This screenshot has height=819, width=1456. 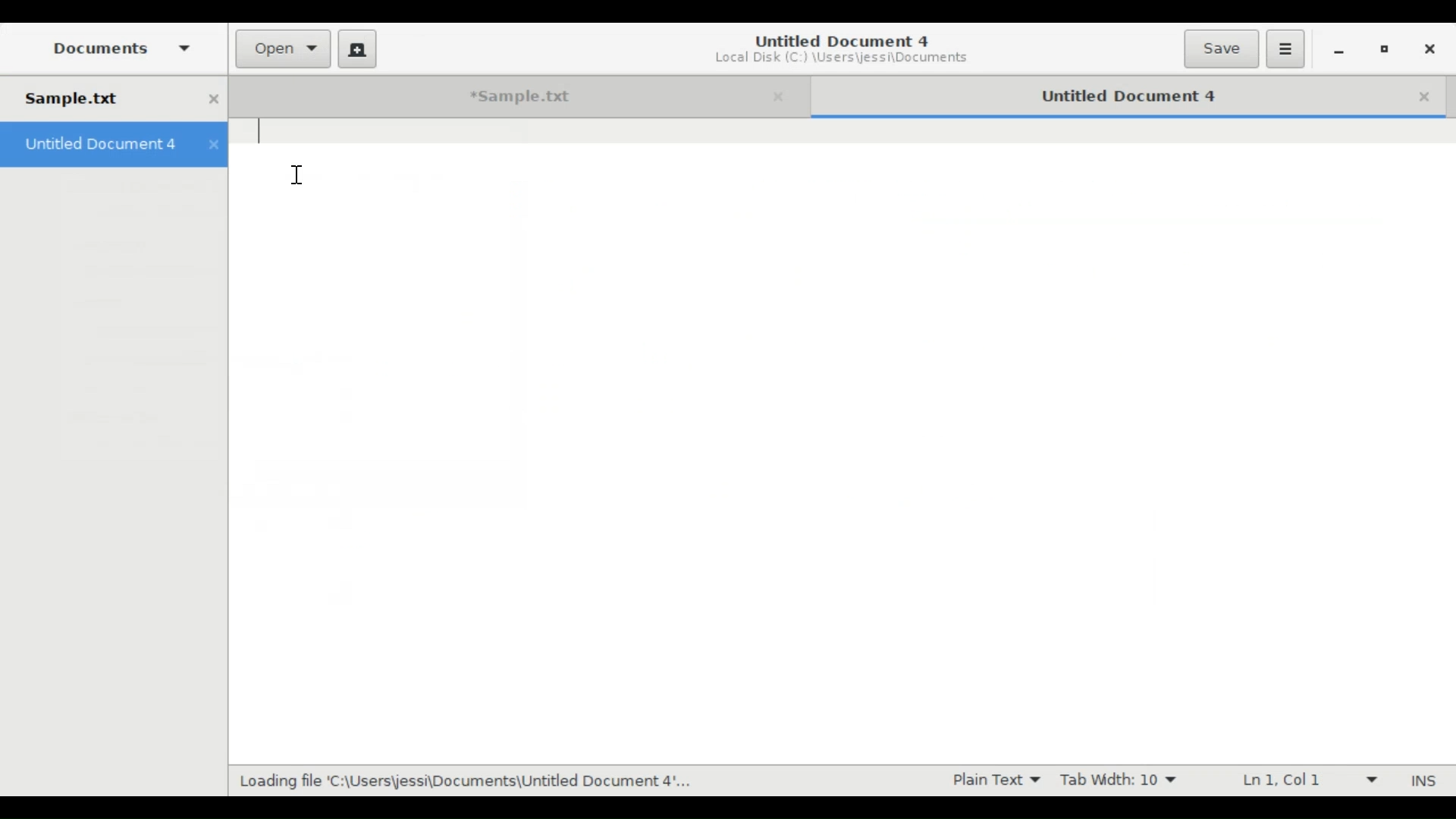 What do you see at coordinates (1108, 94) in the screenshot?
I see `Untitled Document 4 (Current Tab)` at bounding box center [1108, 94].